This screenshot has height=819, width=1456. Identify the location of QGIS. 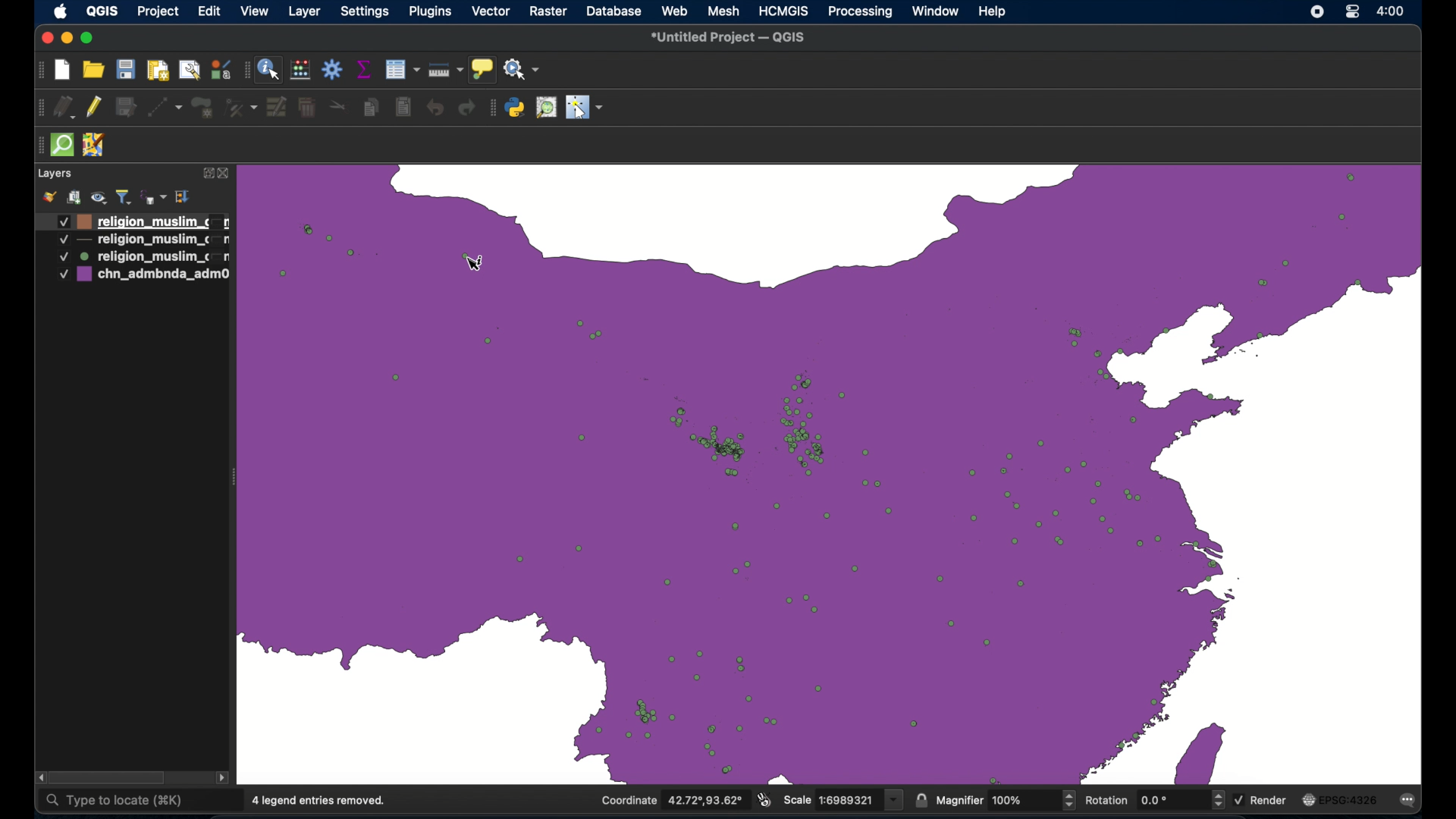
(102, 11).